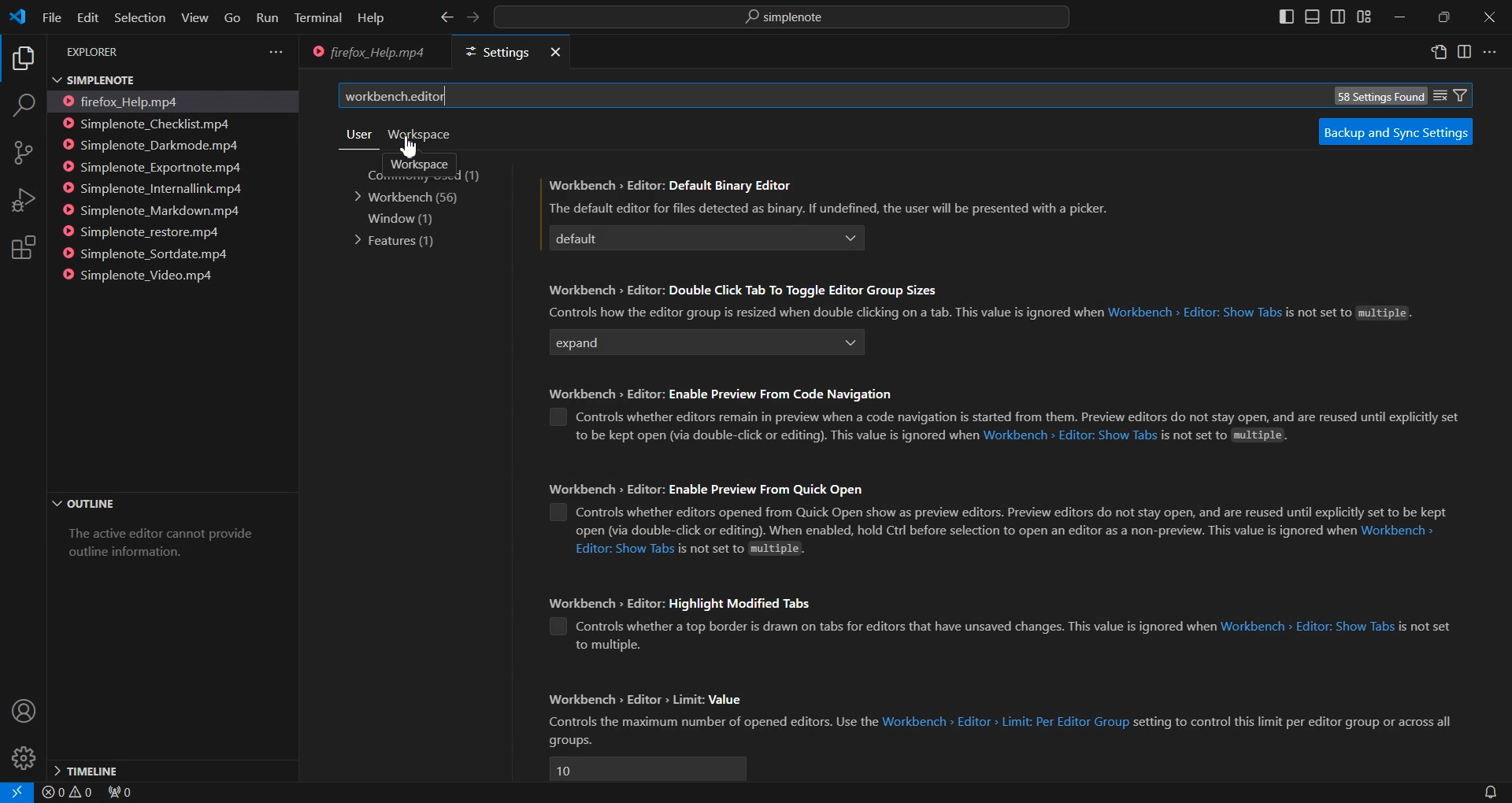  What do you see at coordinates (170, 505) in the screenshot?
I see `Outline` at bounding box center [170, 505].